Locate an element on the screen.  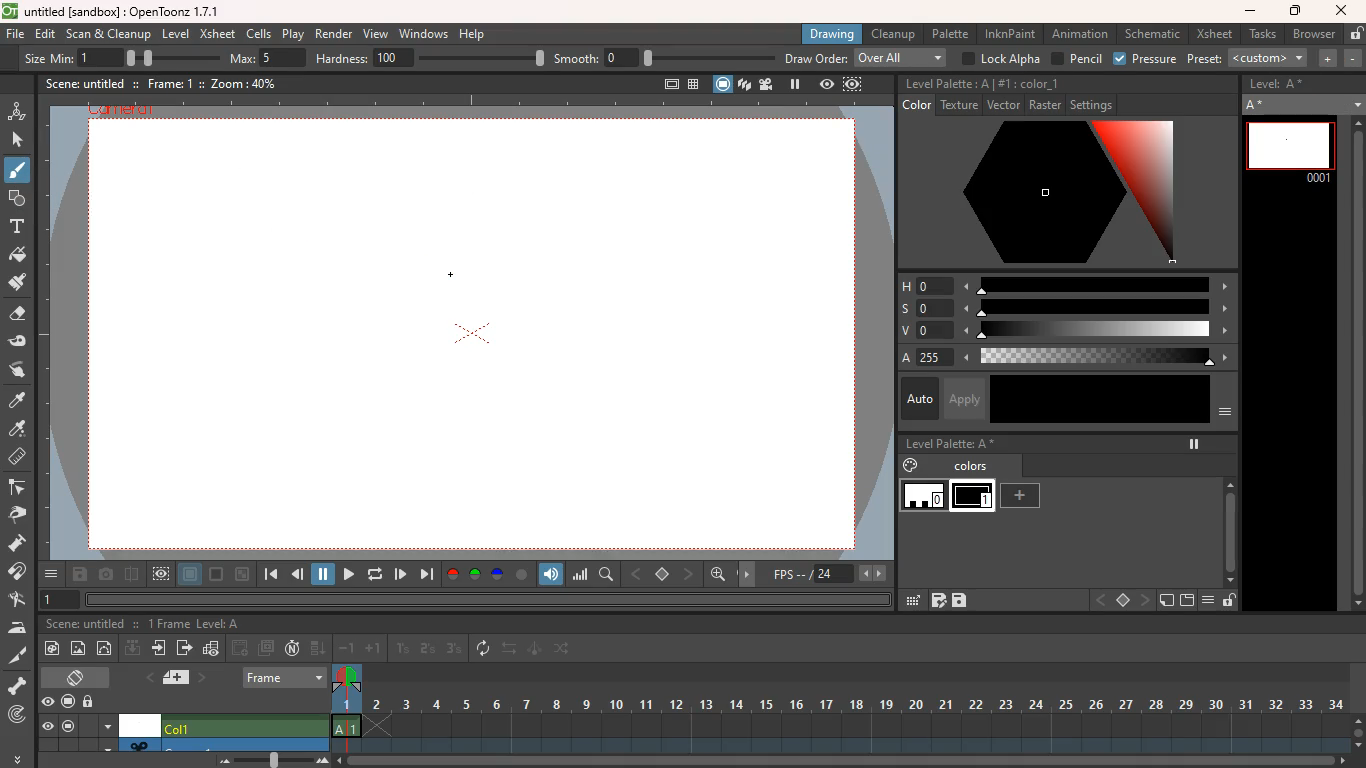
horizontal scrollbar is located at coordinates (487, 599).